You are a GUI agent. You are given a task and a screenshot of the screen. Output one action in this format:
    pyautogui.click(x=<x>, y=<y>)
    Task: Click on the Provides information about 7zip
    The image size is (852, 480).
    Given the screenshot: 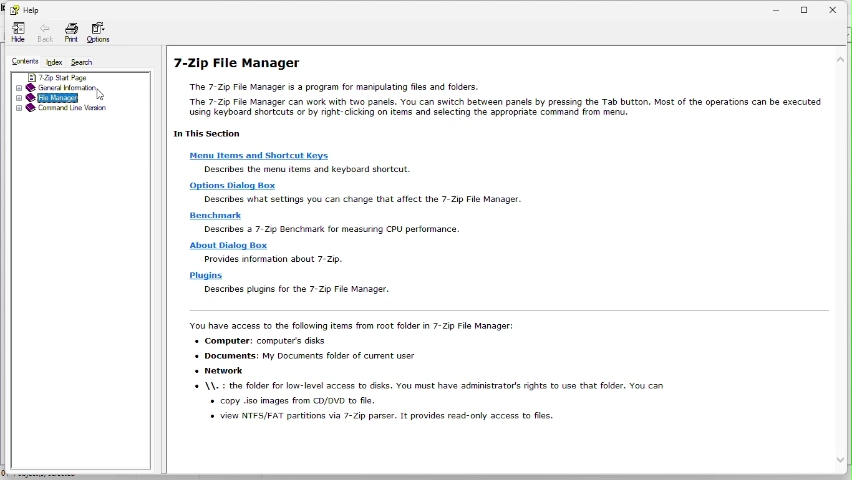 What is the action you would take?
    pyautogui.click(x=282, y=259)
    